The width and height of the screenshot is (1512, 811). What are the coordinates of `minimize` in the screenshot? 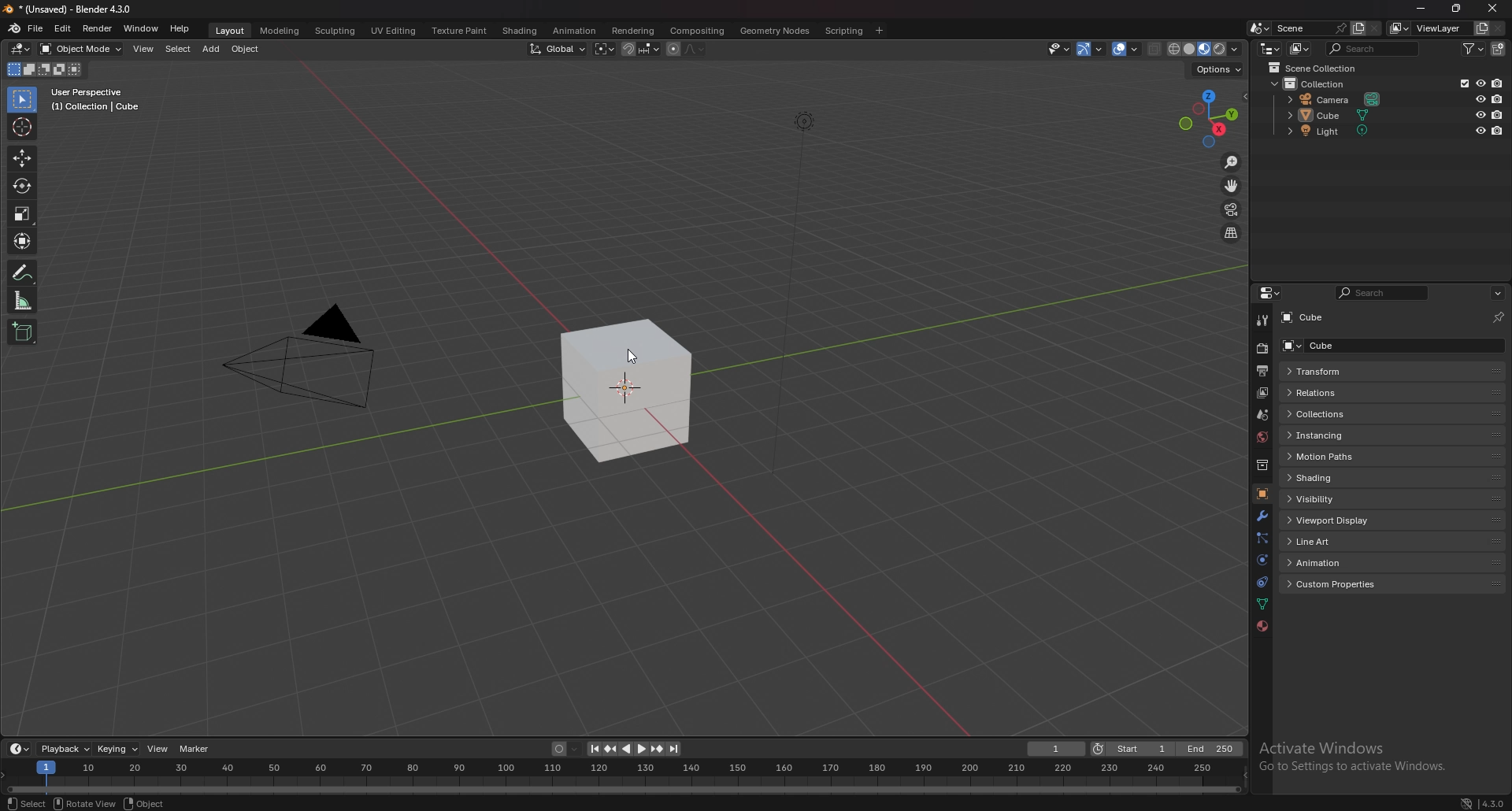 It's located at (1421, 8).